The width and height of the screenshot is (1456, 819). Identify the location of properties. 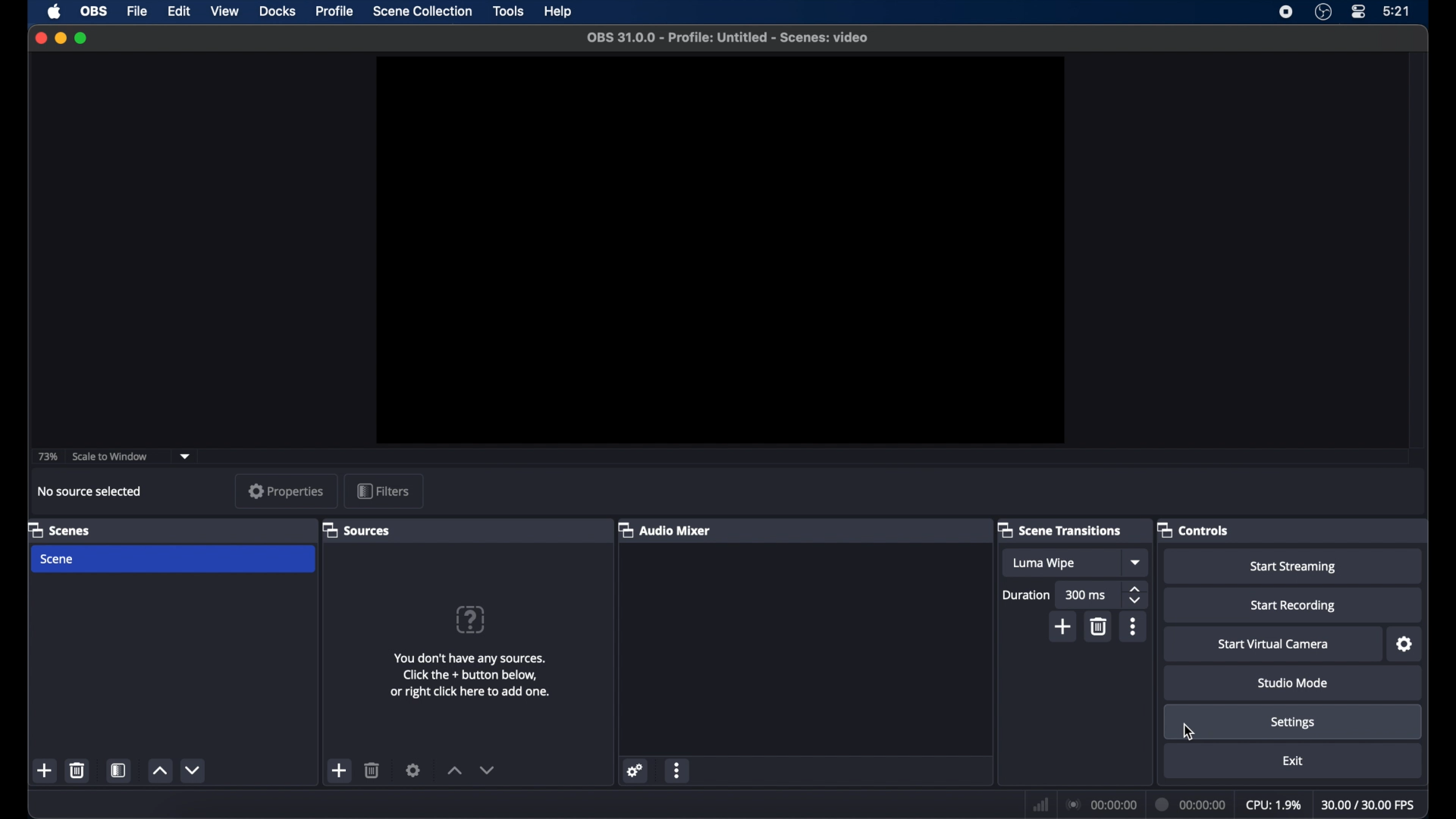
(287, 491).